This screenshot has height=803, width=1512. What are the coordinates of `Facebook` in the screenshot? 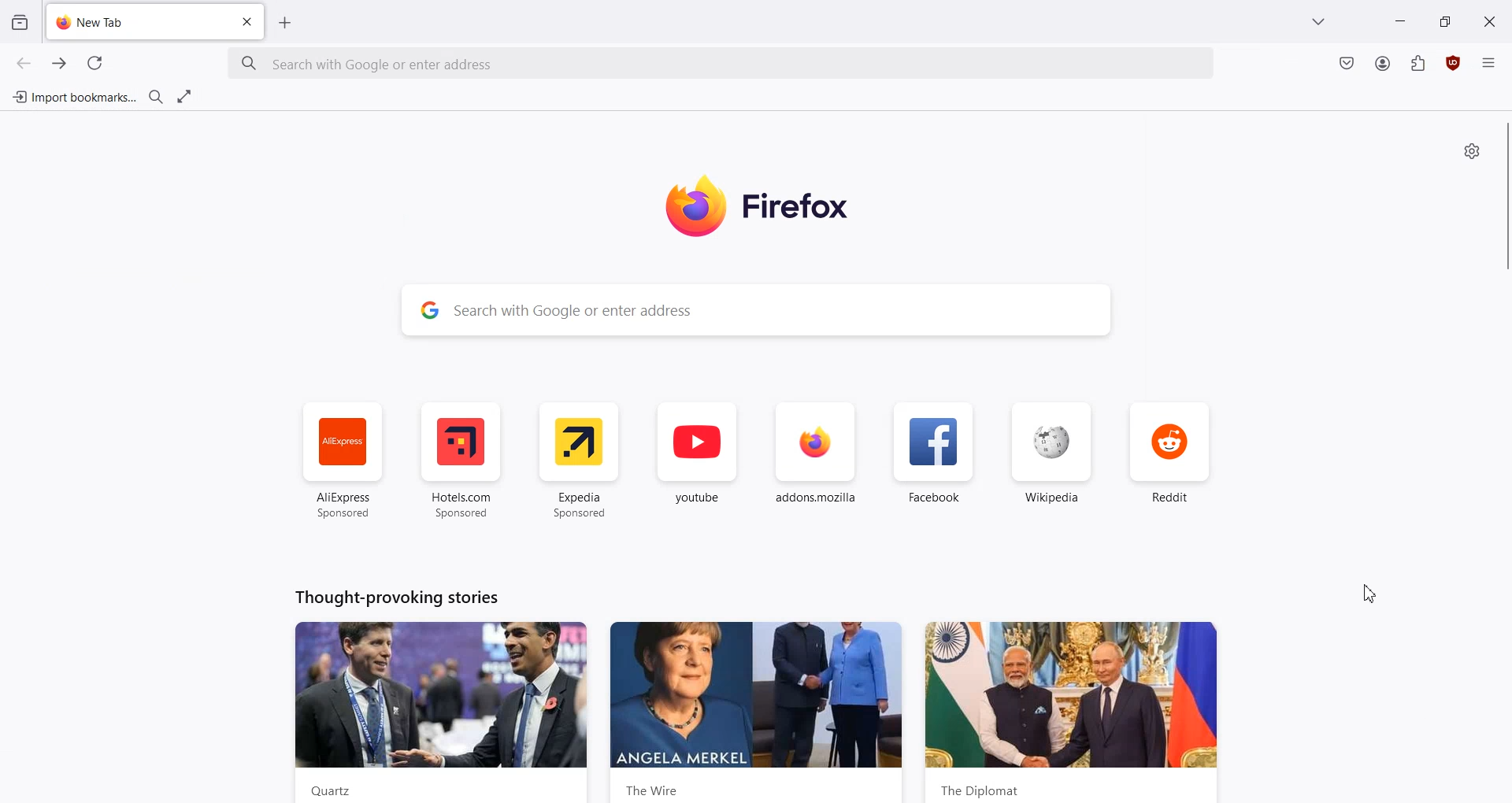 It's located at (935, 461).